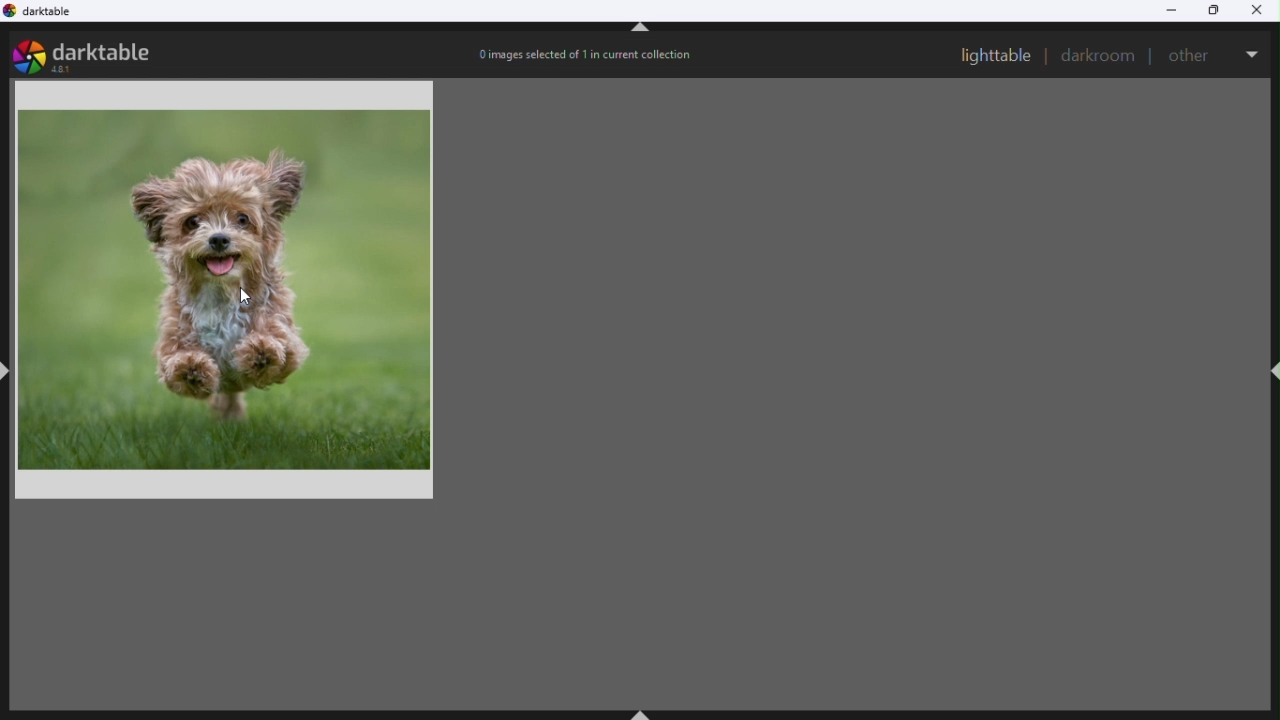  Describe the element at coordinates (644, 712) in the screenshot. I see `shift+ctrl+b` at that location.